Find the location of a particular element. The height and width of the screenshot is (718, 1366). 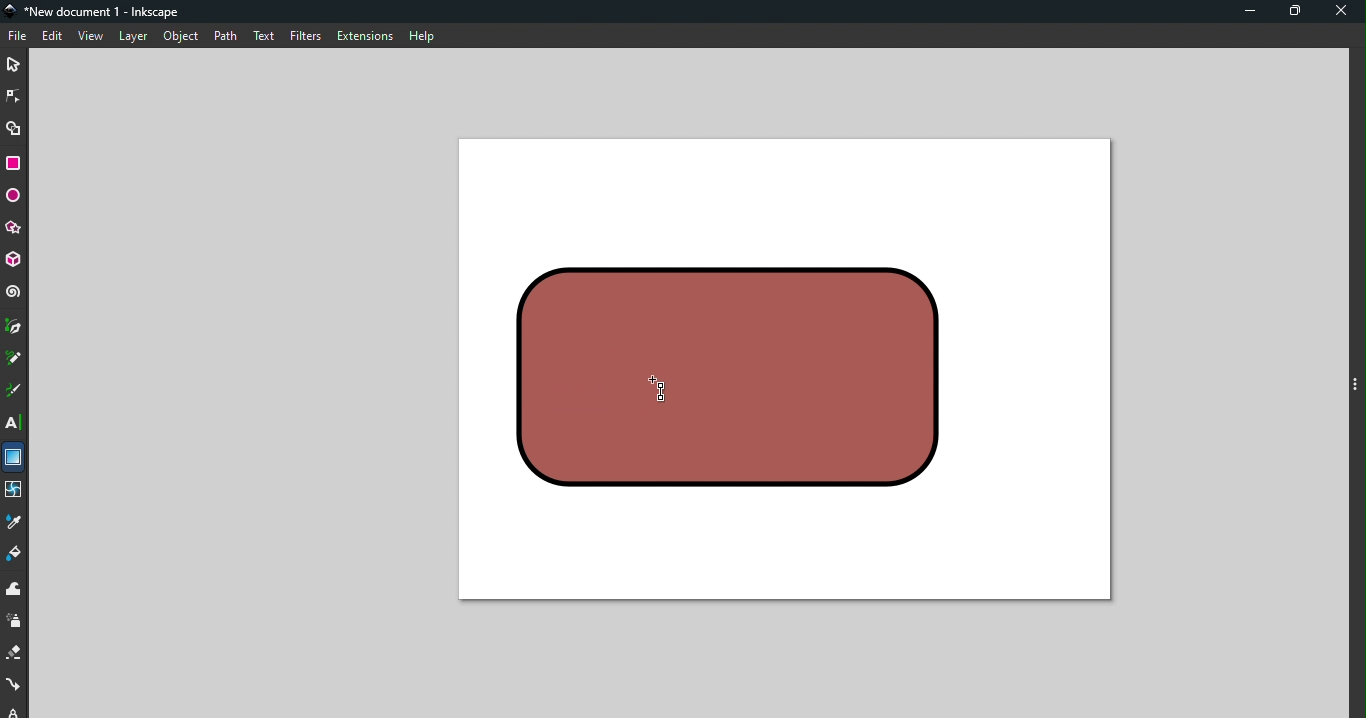

Text is located at coordinates (263, 34).